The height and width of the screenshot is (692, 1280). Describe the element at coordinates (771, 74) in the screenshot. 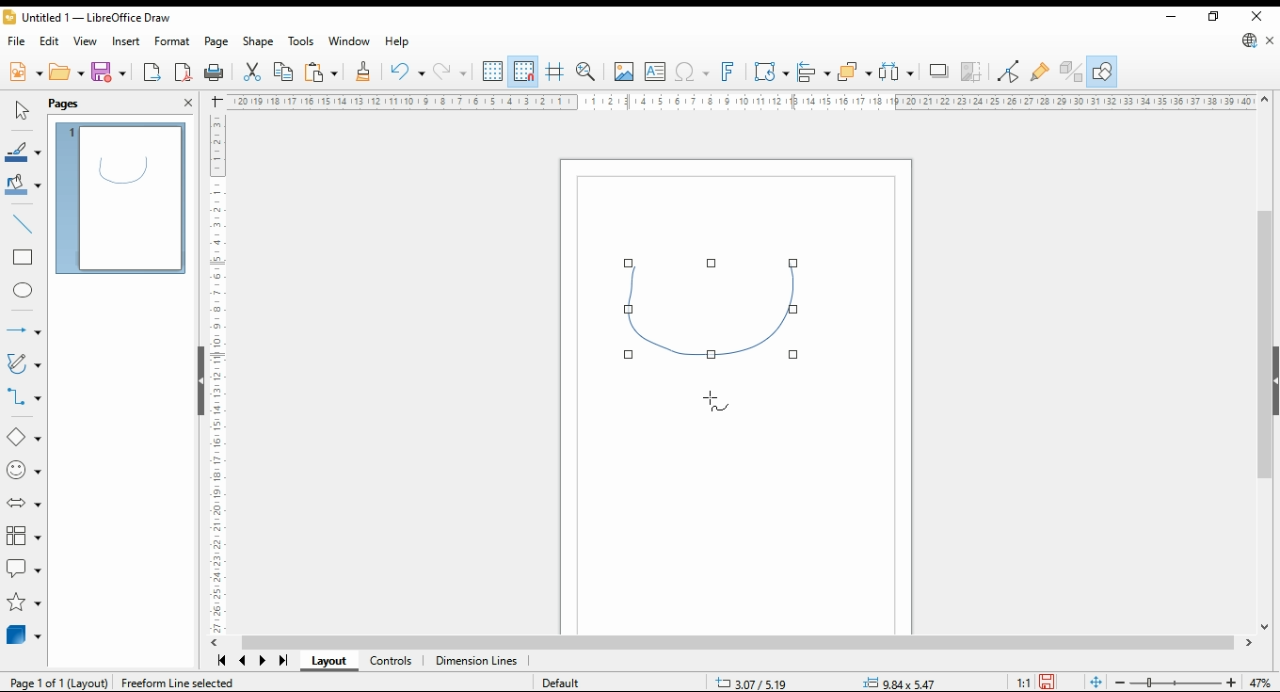

I see `transformations` at that location.